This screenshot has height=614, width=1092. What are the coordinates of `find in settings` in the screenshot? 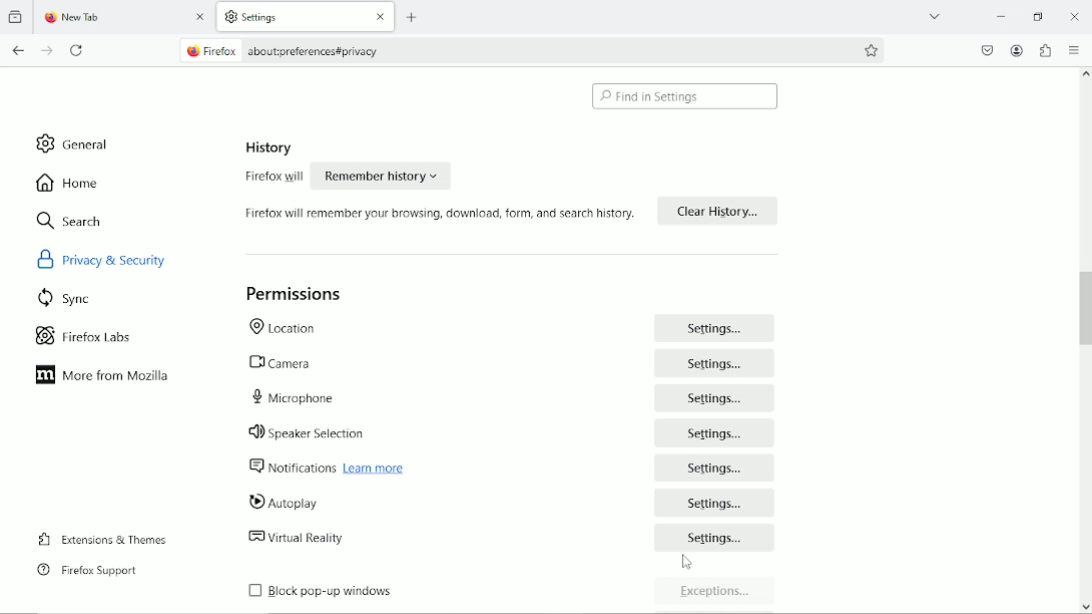 It's located at (687, 96).